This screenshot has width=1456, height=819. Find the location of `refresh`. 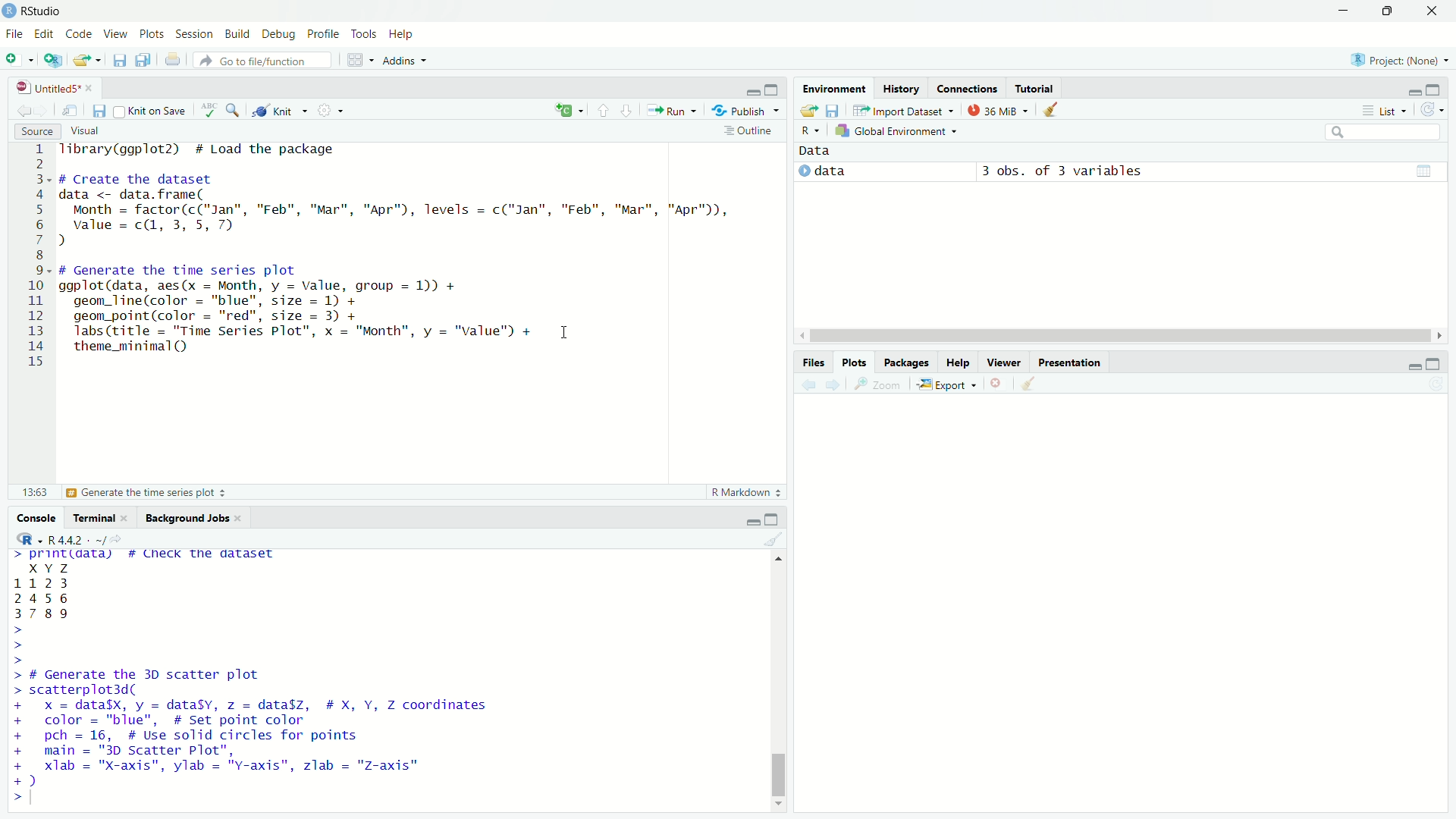

refresh is located at coordinates (1432, 109).